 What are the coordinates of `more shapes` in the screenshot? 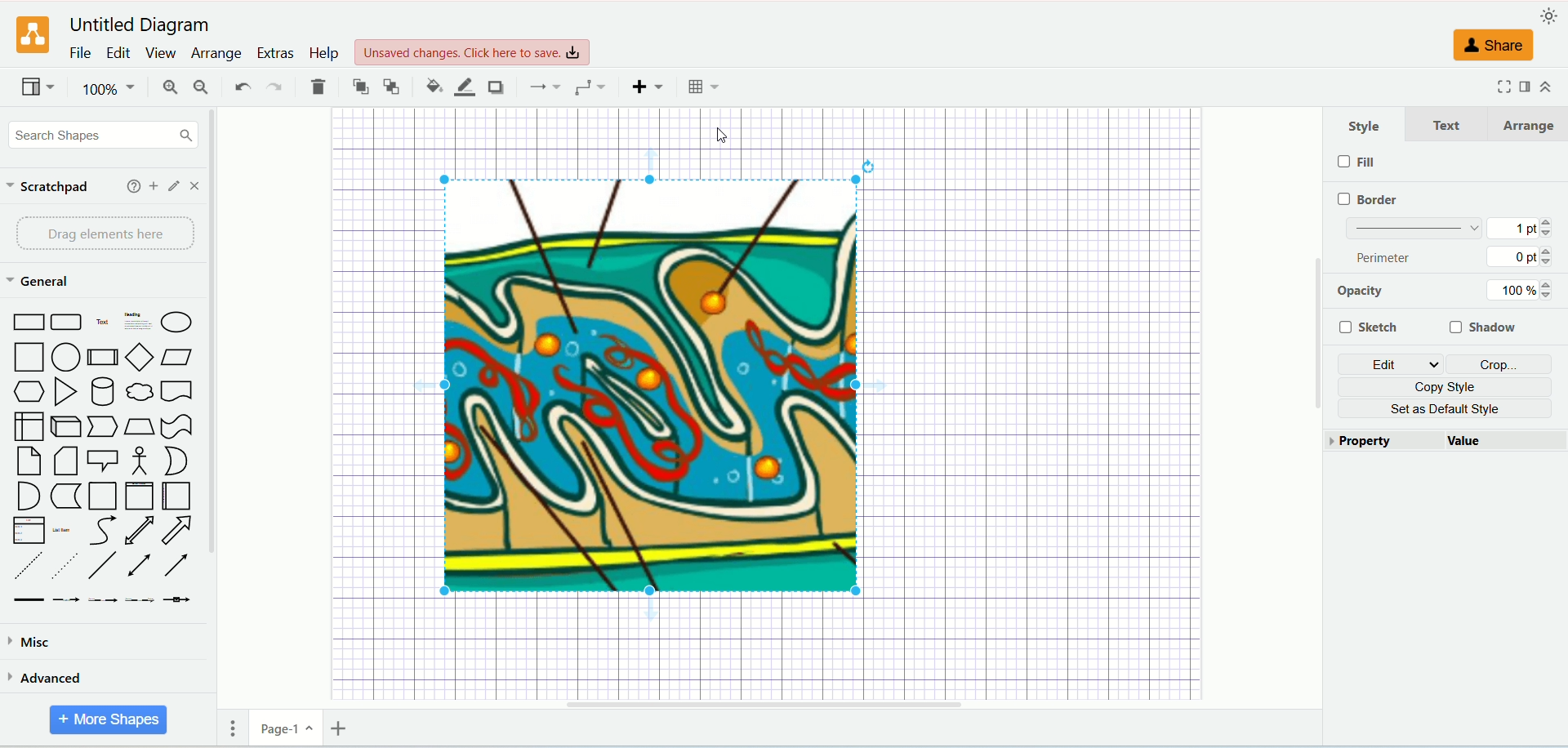 It's located at (109, 720).